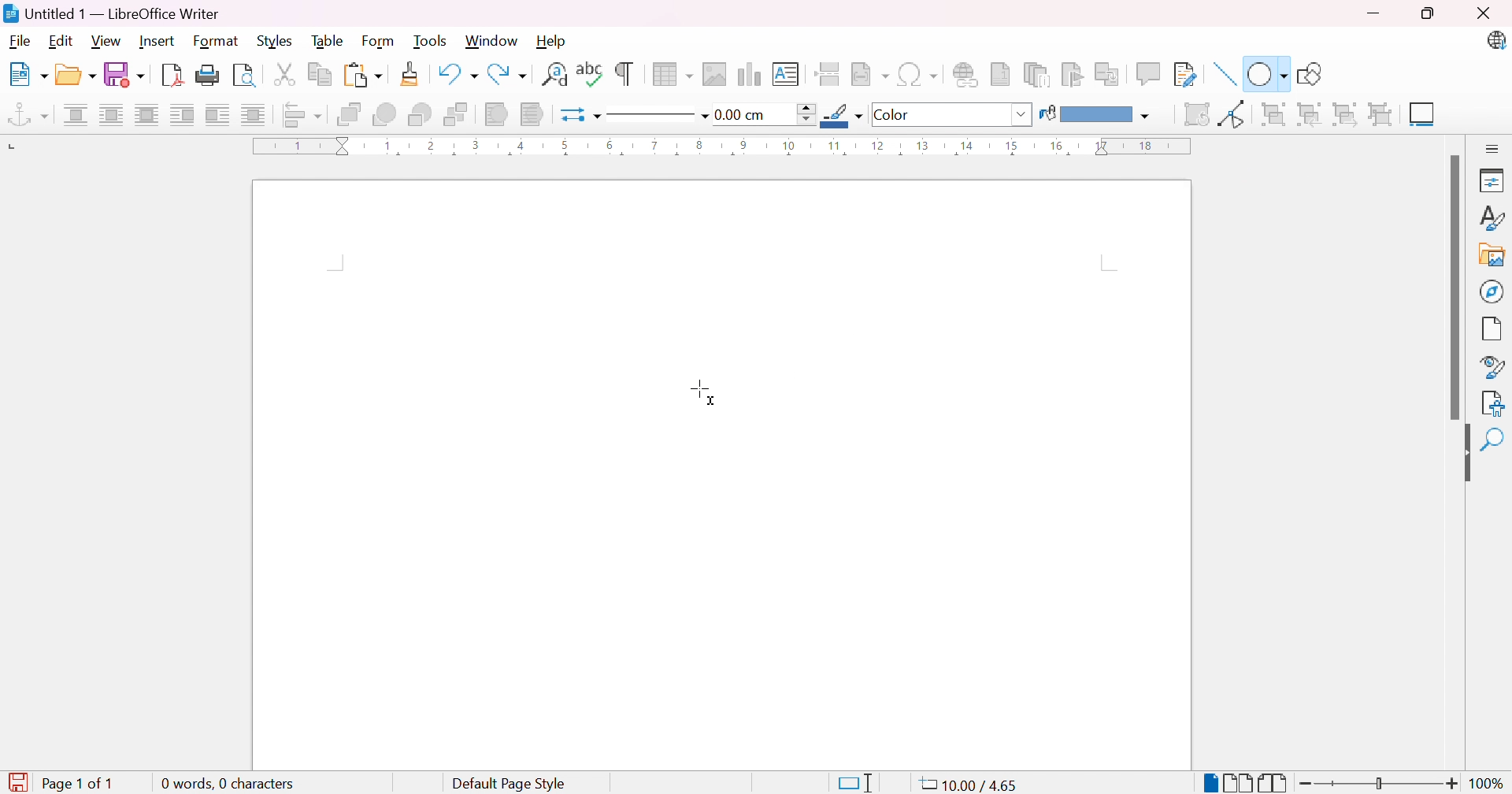  What do you see at coordinates (1151, 73) in the screenshot?
I see `Insert comment` at bounding box center [1151, 73].